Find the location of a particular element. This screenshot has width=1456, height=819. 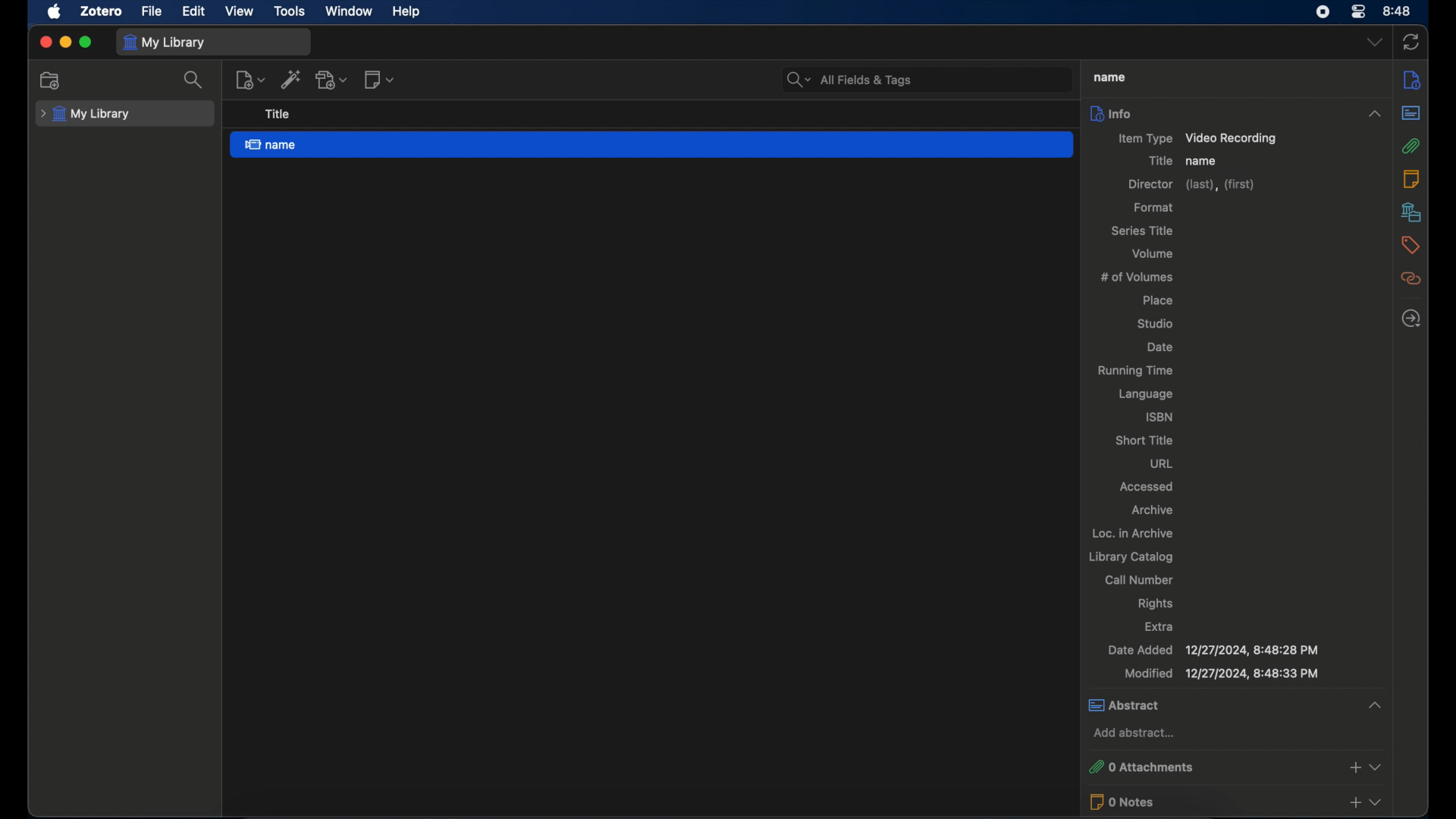

extra is located at coordinates (1159, 626).